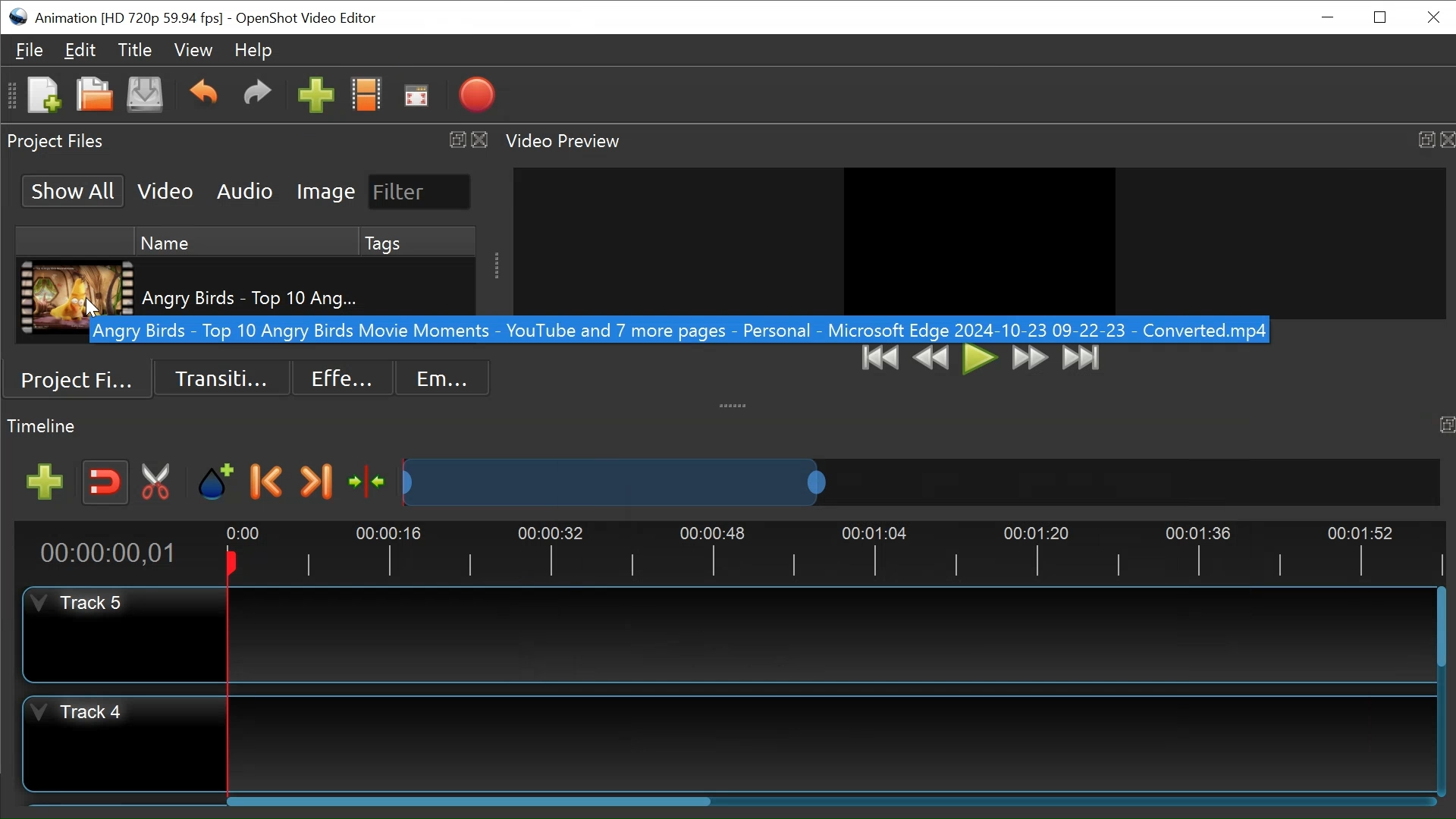  What do you see at coordinates (249, 52) in the screenshot?
I see `Help` at bounding box center [249, 52].